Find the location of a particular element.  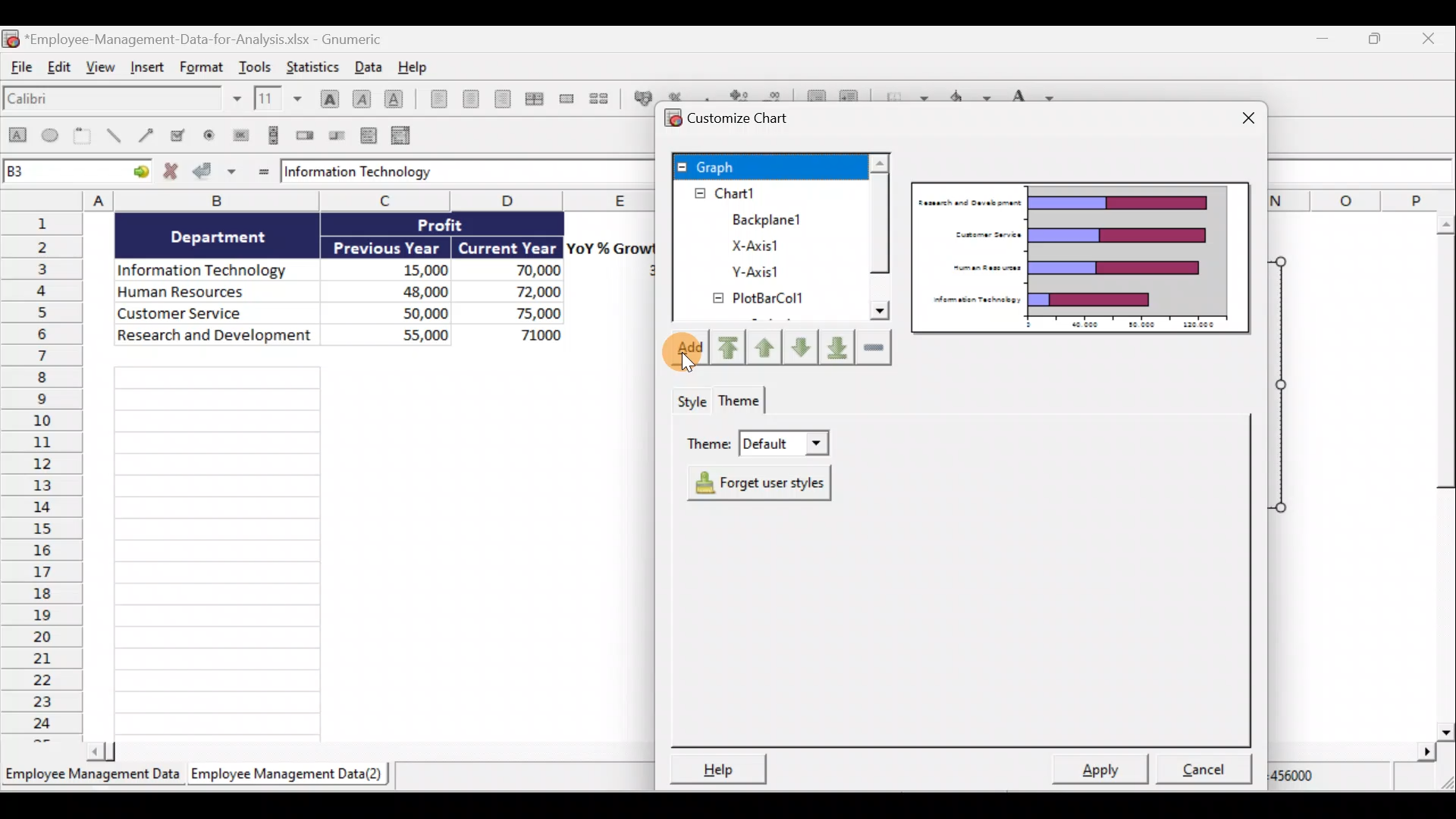

Help is located at coordinates (725, 767).